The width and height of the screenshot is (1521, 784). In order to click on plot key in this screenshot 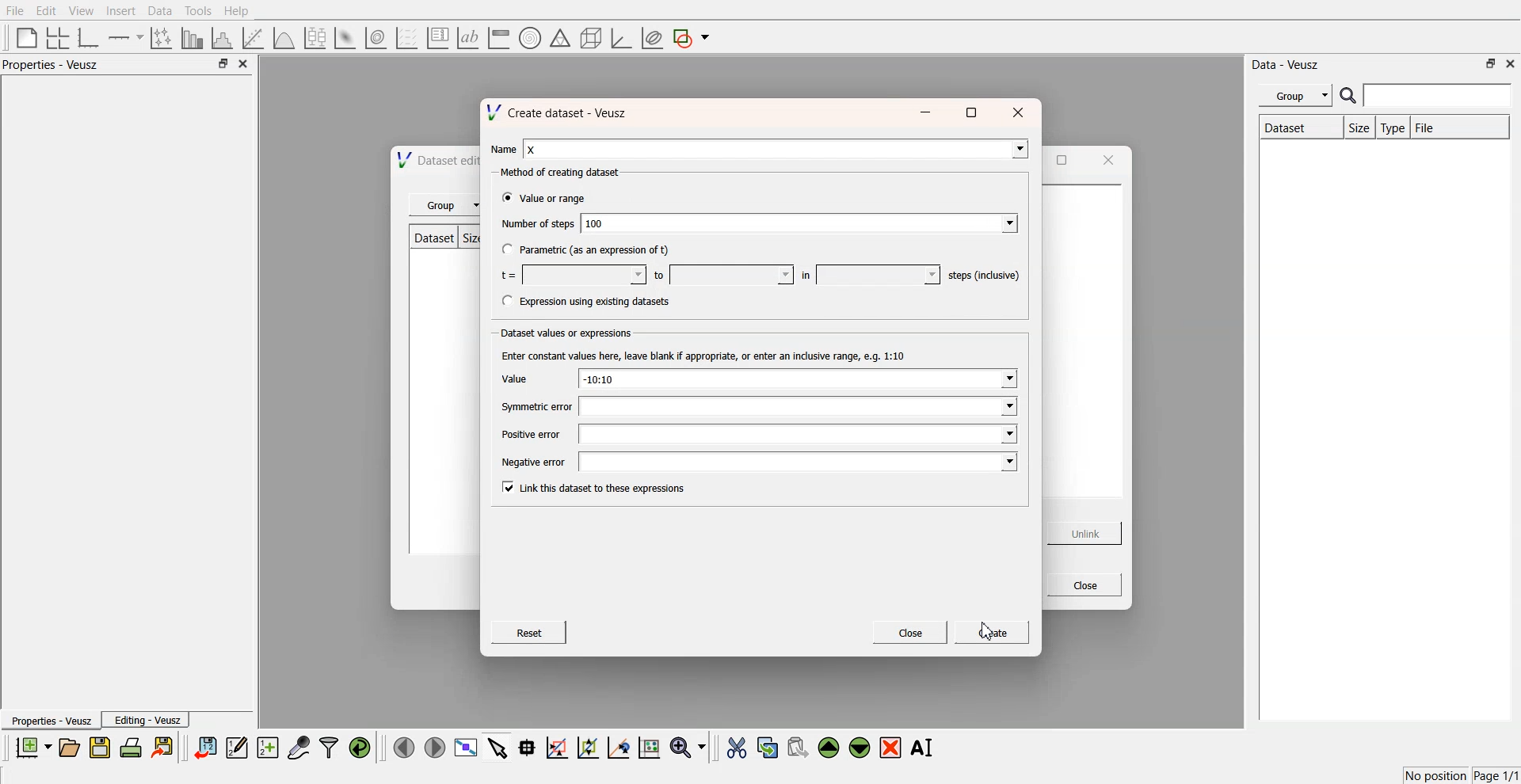, I will do `click(437, 38)`.